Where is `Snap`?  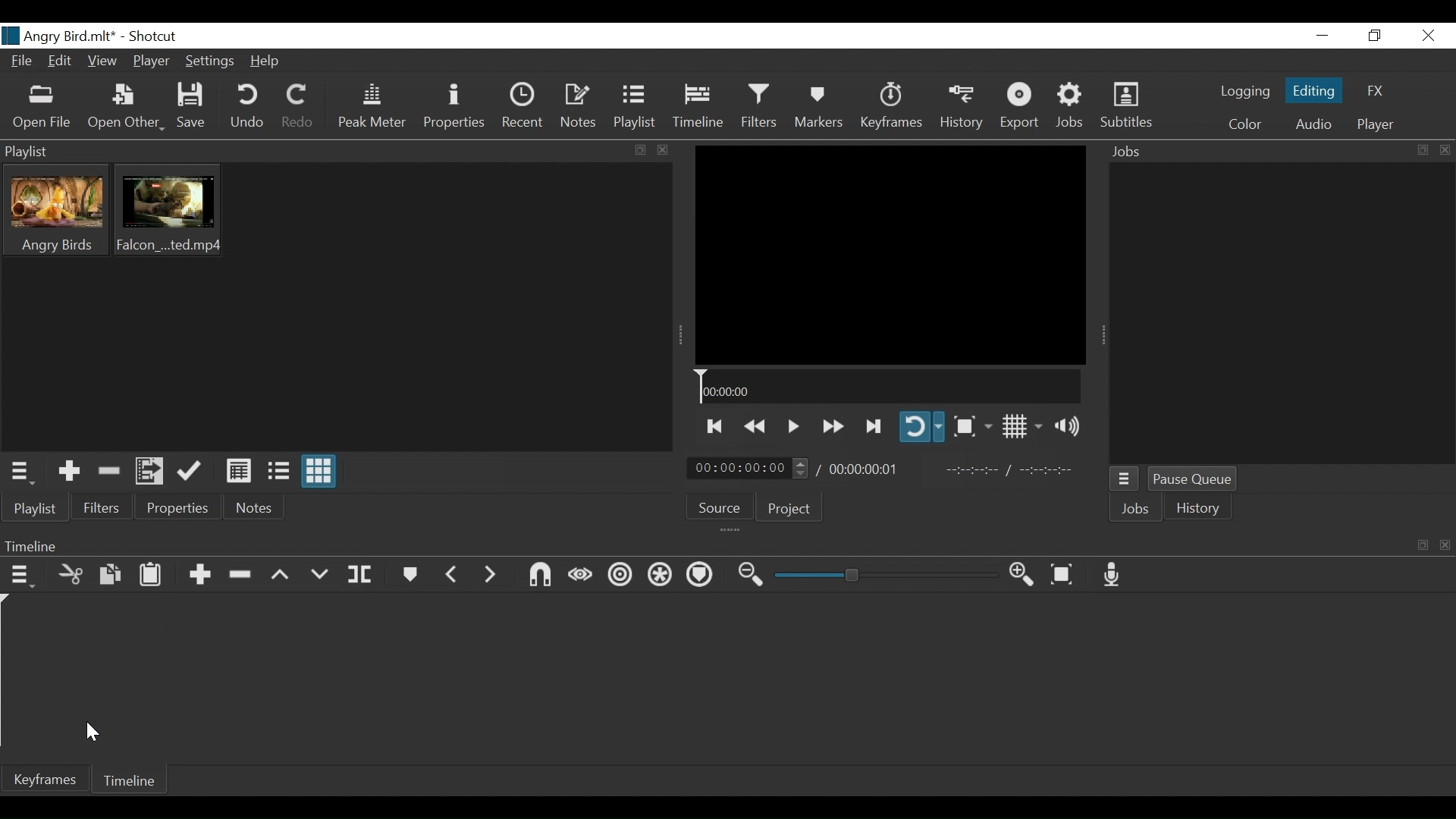 Snap is located at coordinates (539, 576).